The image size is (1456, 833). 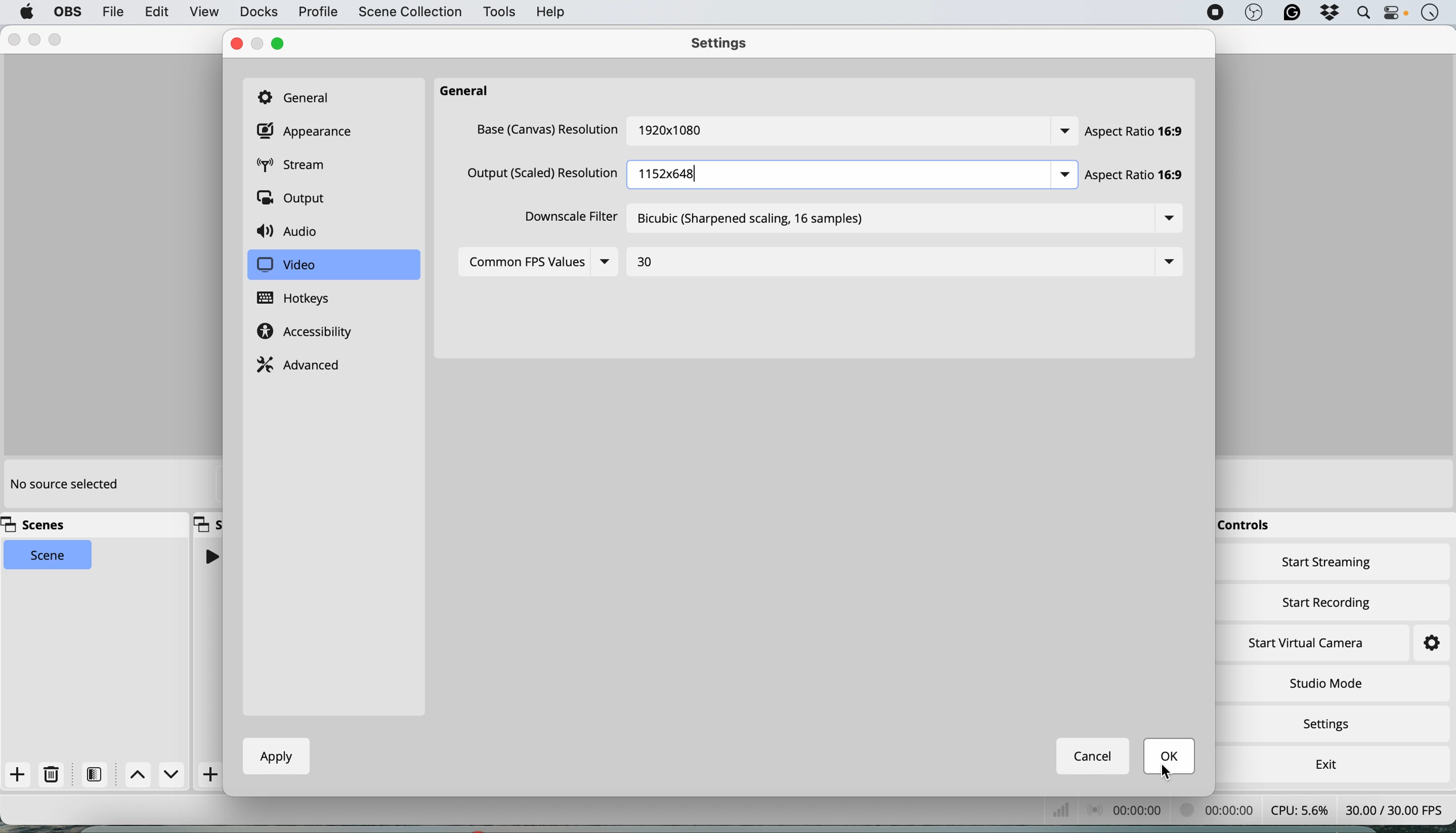 What do you see at coordinates (309, 333) in the screenshot?
I see `accessibility` at bounding box center [309, 333].